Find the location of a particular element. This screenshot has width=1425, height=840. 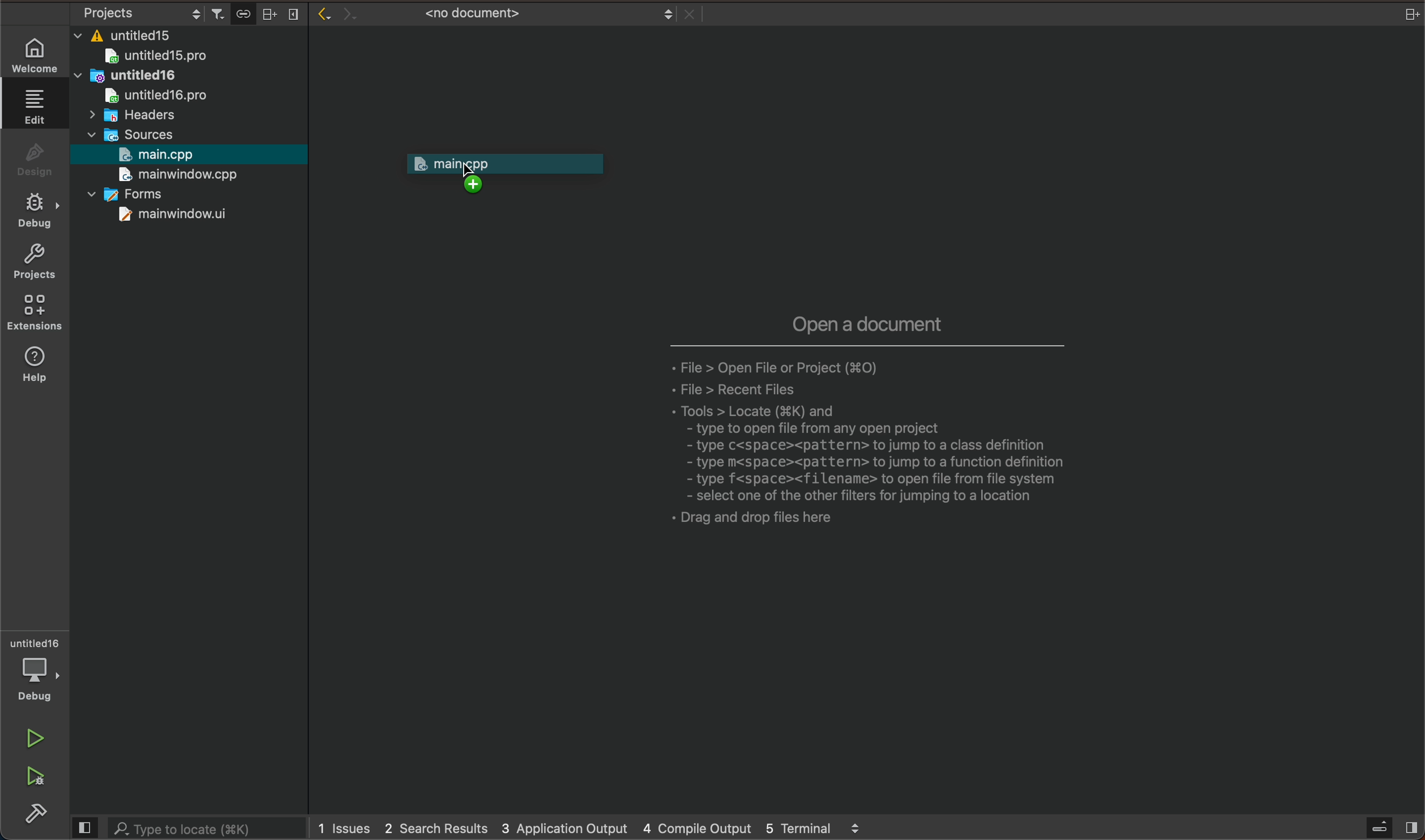

split is located at coordinates (268, 13).